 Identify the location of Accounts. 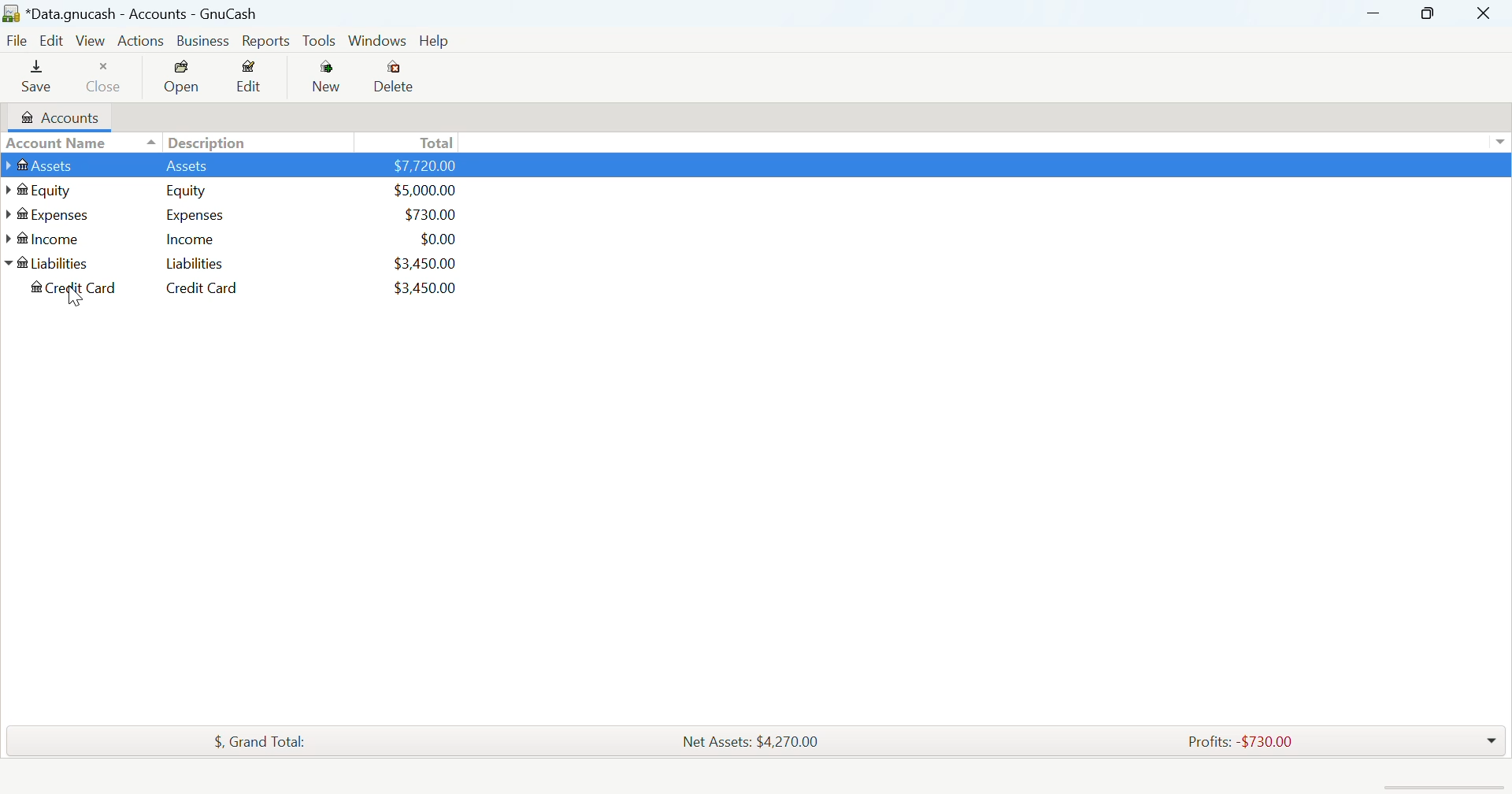
(57, 117).